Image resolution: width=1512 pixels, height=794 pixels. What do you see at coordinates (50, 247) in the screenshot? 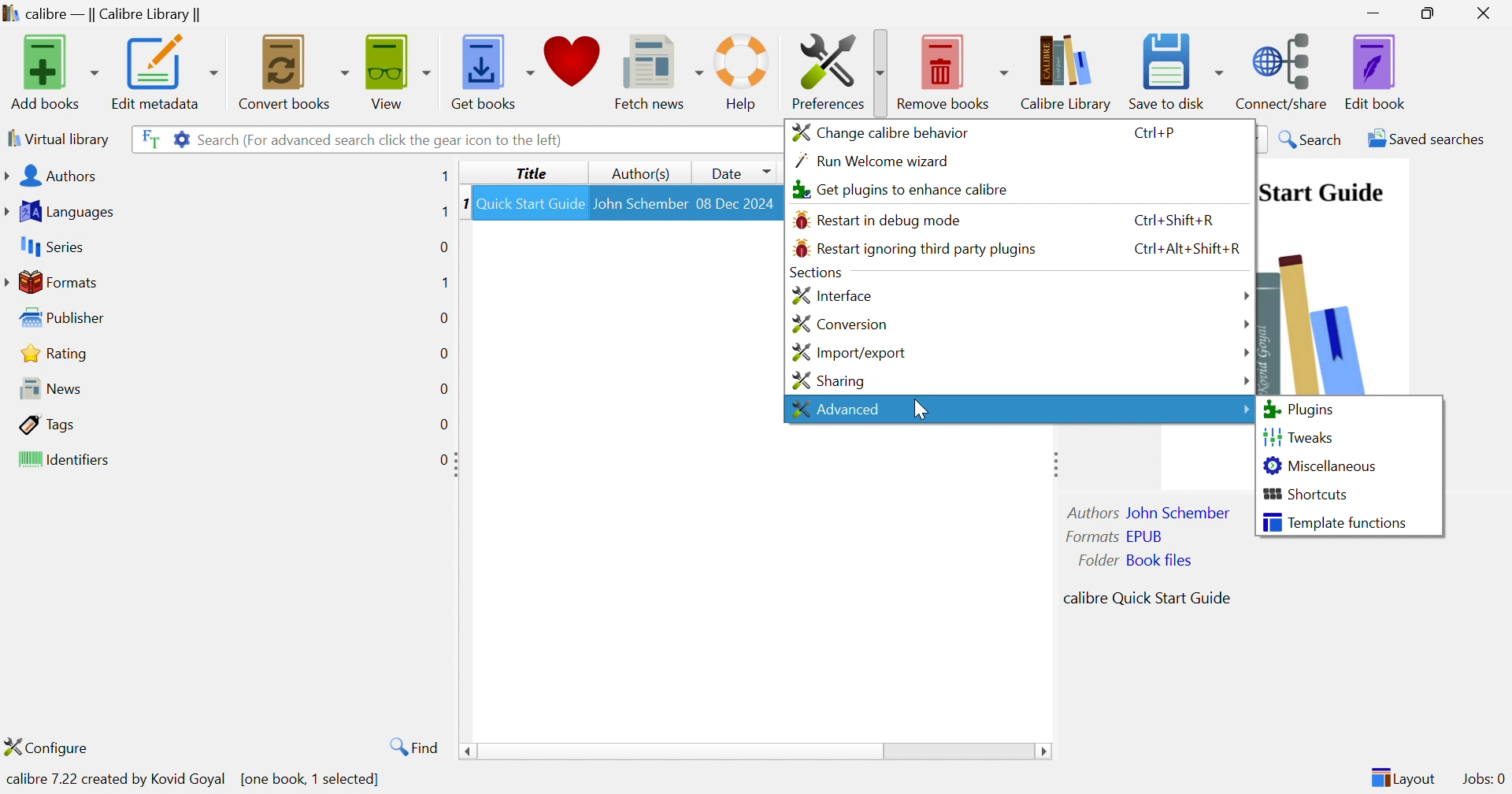
I see `Series` at bounding box center [50, 247].